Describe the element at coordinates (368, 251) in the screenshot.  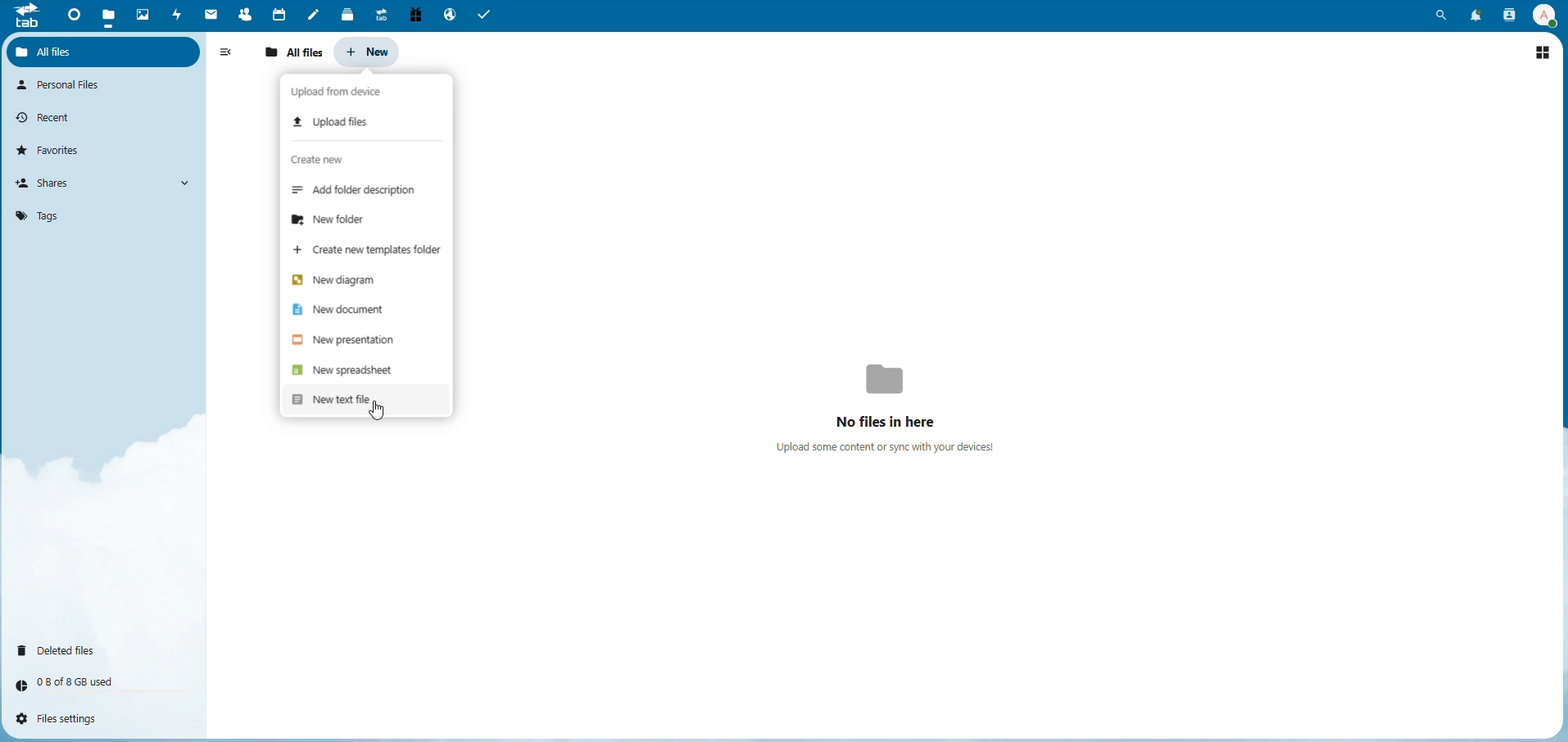
I see `template` at that location.